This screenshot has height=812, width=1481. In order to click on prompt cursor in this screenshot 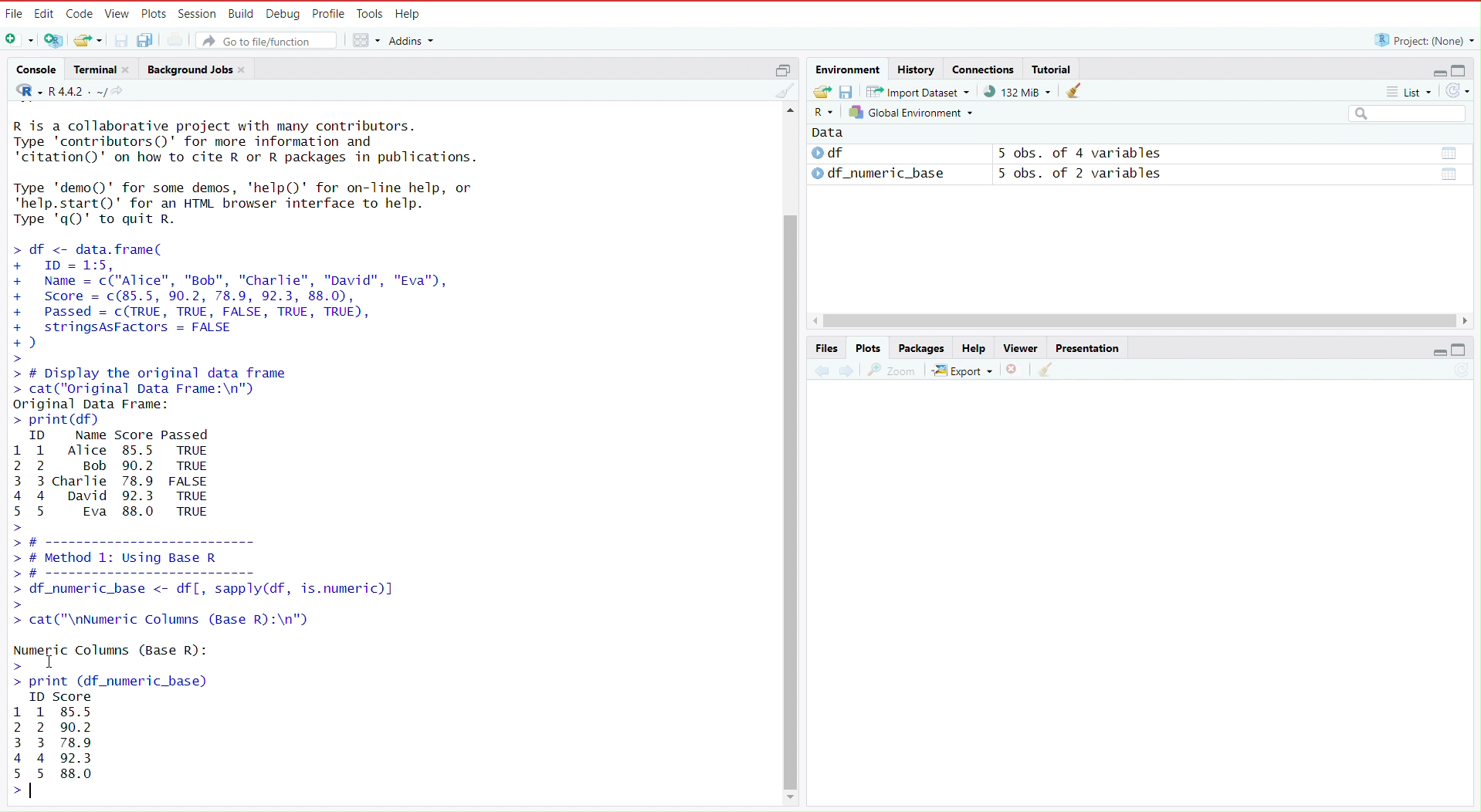, I will do `click(25, 357)`.